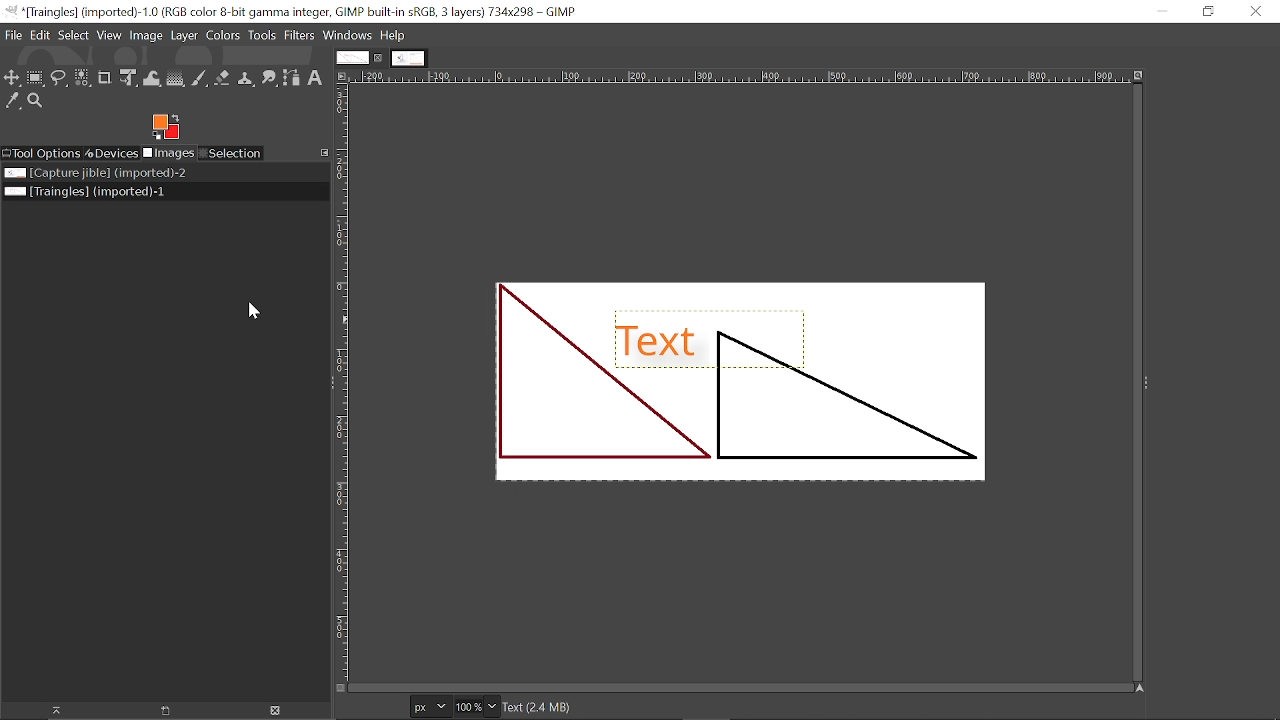 This screenshot has height=720, width=1280. Describe the element at coordinates (274, 710) in the screenshot. I see `Delete Image` at that location.